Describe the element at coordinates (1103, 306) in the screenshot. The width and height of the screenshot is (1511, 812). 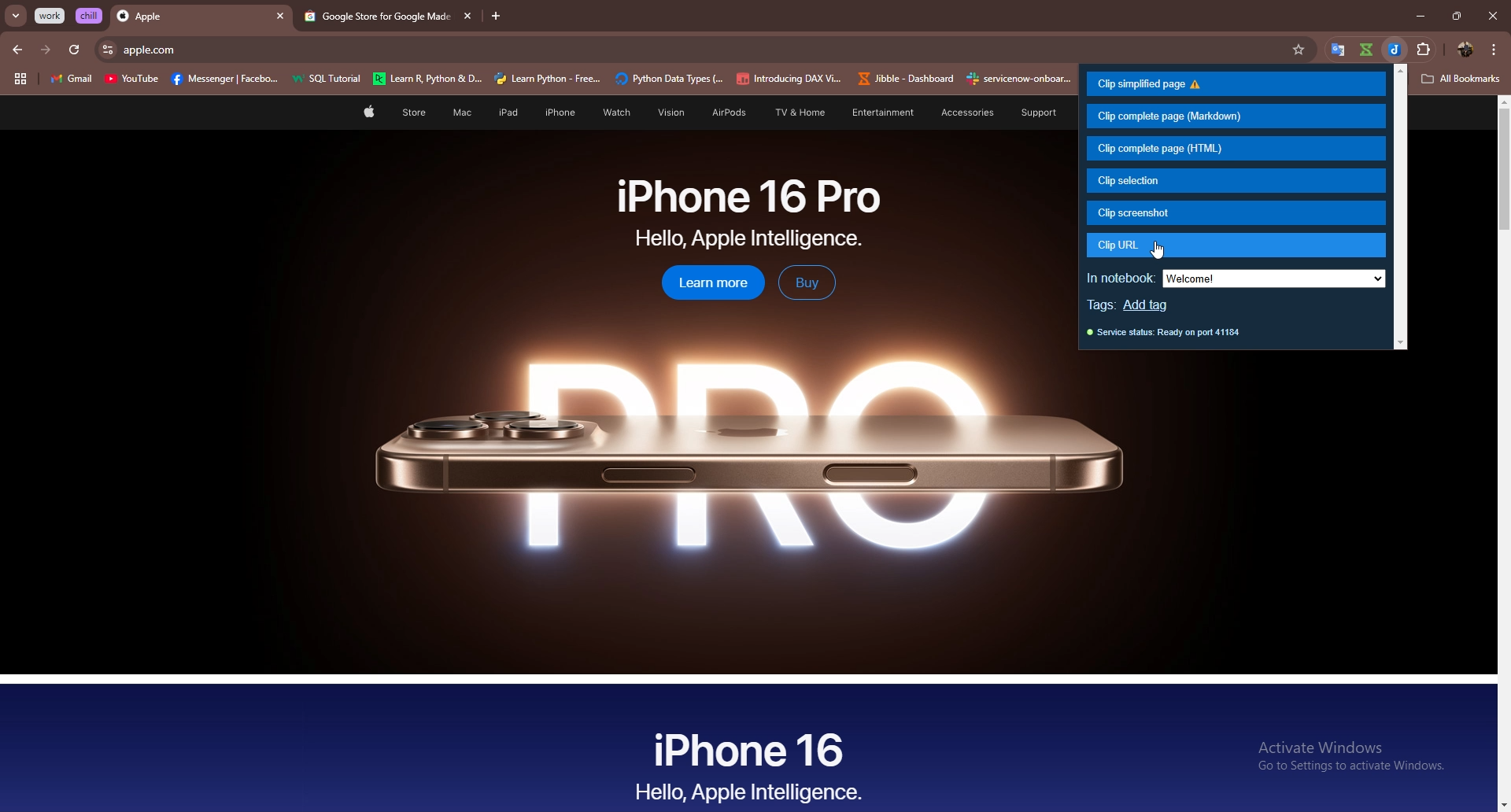
I see `tags` at that location.